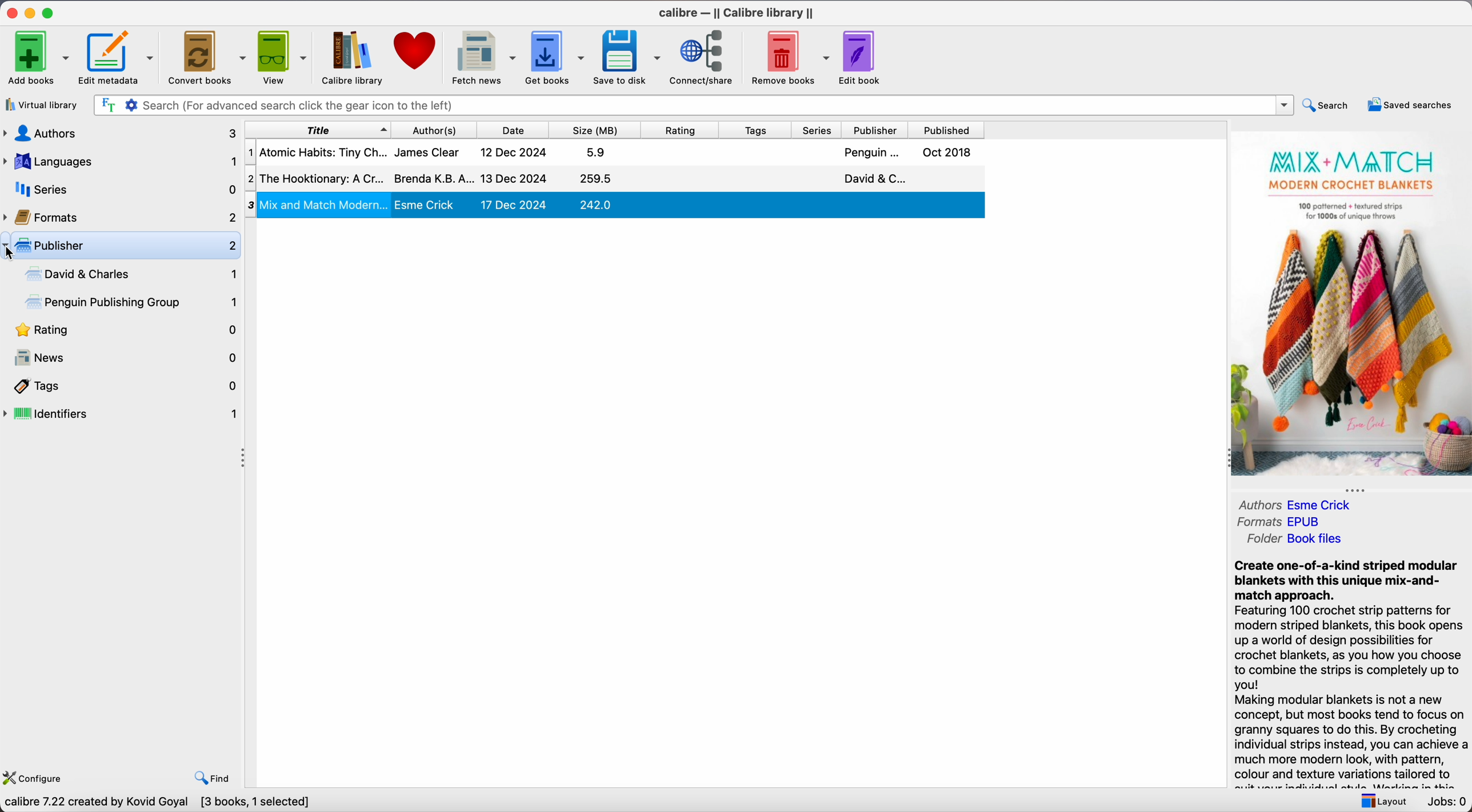 The height and width of the screenshot is (812, 1472). I want to click on Author Esme Crick, so click(1323, 504).